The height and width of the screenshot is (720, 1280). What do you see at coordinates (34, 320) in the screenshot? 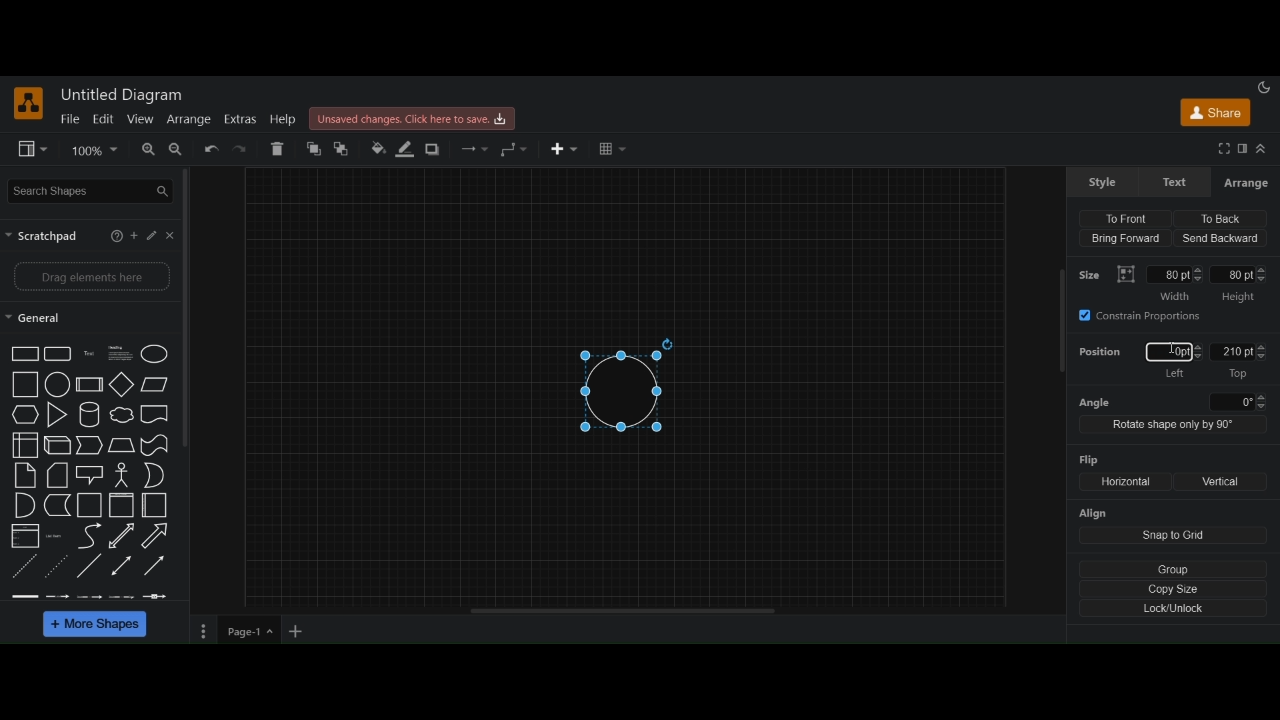
I see `general` at bounding box center [34, 320].